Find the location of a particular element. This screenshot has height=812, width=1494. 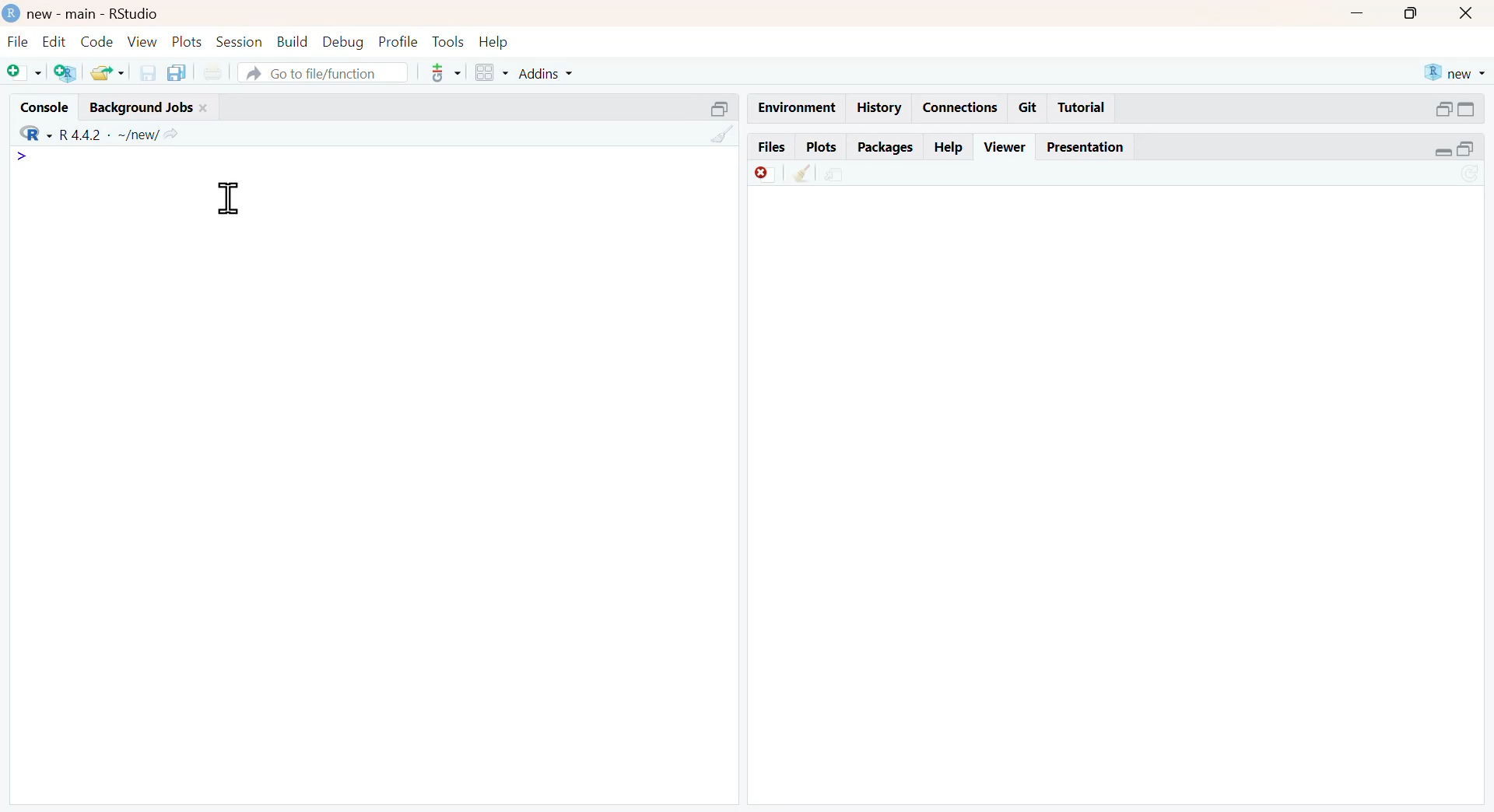

grid is located at coordinates (493, 72).